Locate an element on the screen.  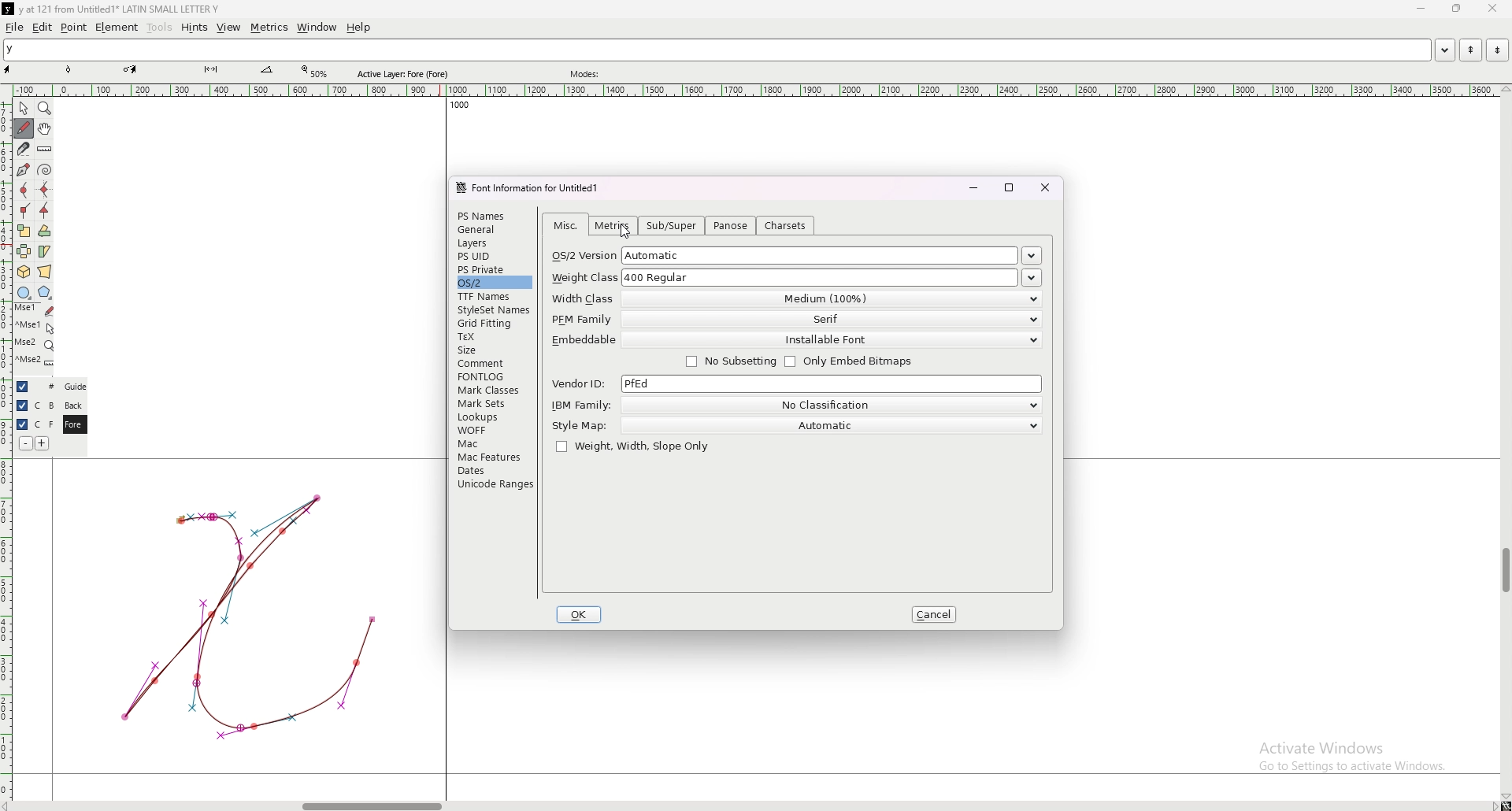
magnify is located at coordinates (45, 108).